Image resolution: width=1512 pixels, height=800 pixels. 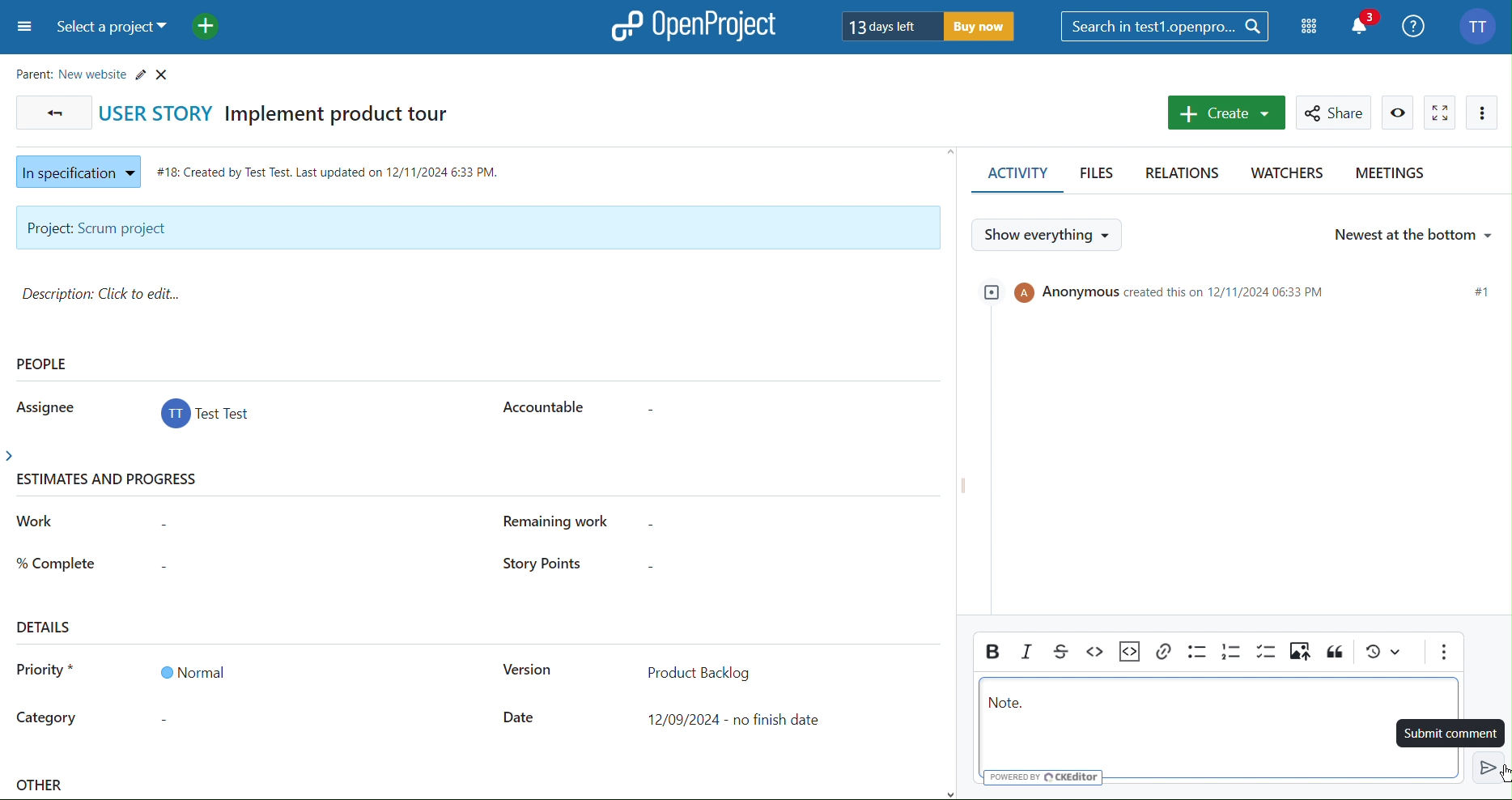 What do you see at coordinates (46, 626) in the screenshot?
I see `Details` at bounding box center [46, 626].